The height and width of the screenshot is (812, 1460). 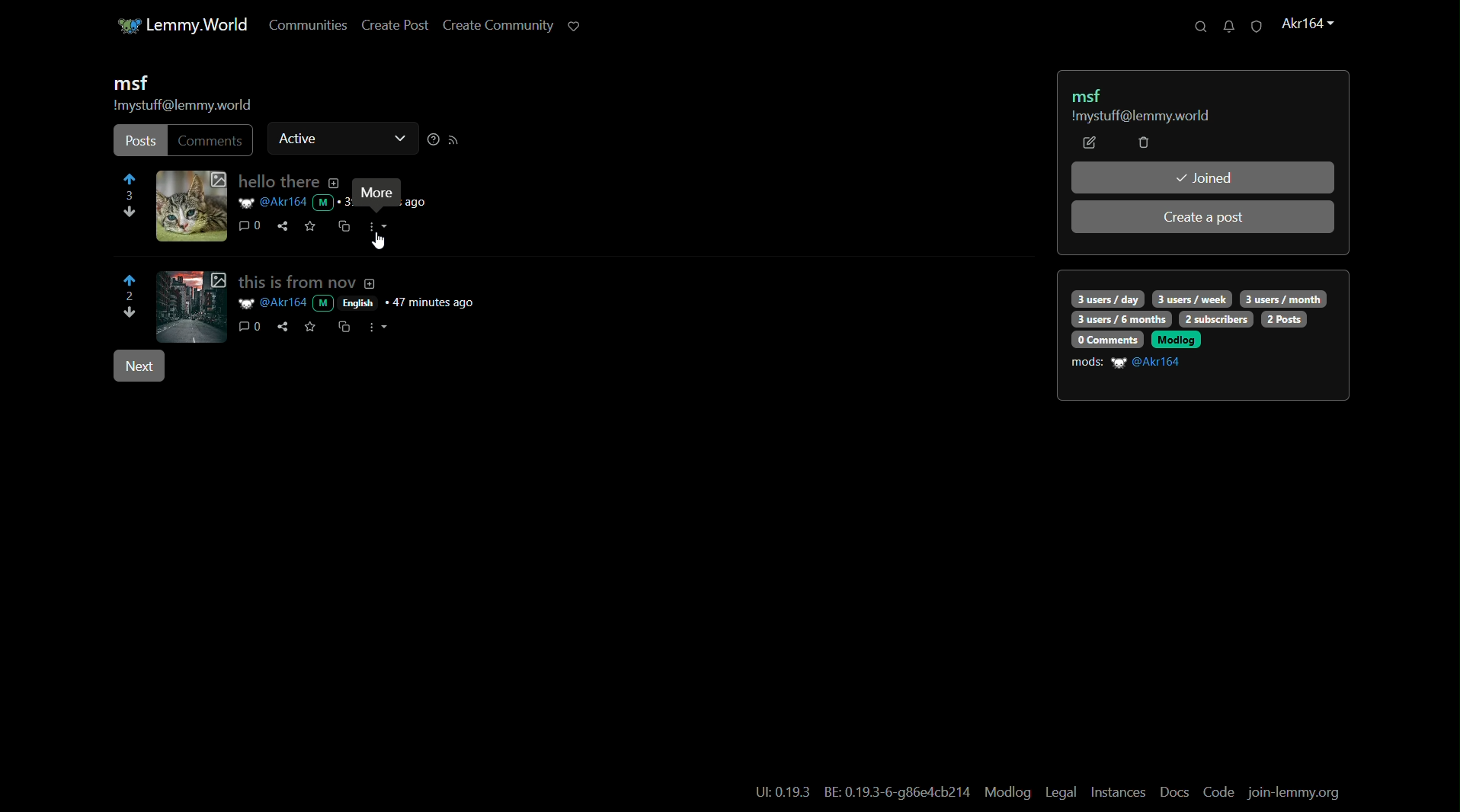 What do you see at coordinates (1193, 298) in the screenshot?
I see `3 users per week` at bounding box center [1193, 298].